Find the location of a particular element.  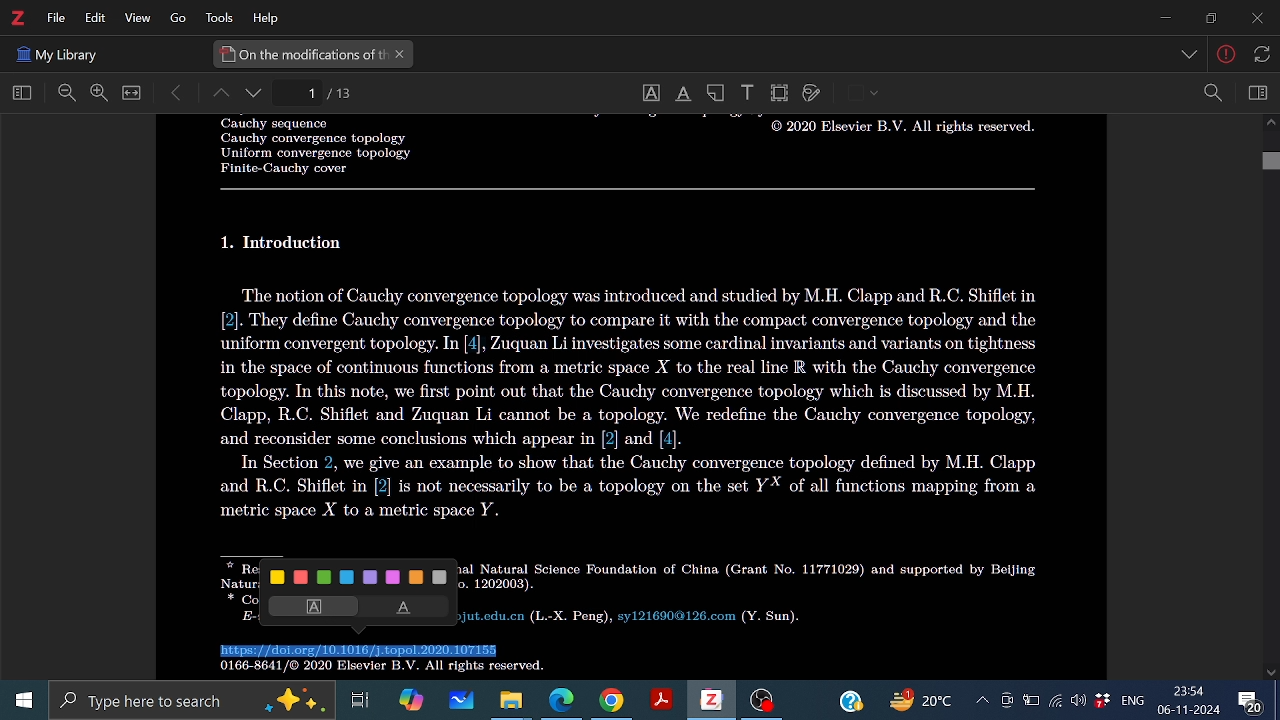

Current tab is located at coordinates (301, 54).